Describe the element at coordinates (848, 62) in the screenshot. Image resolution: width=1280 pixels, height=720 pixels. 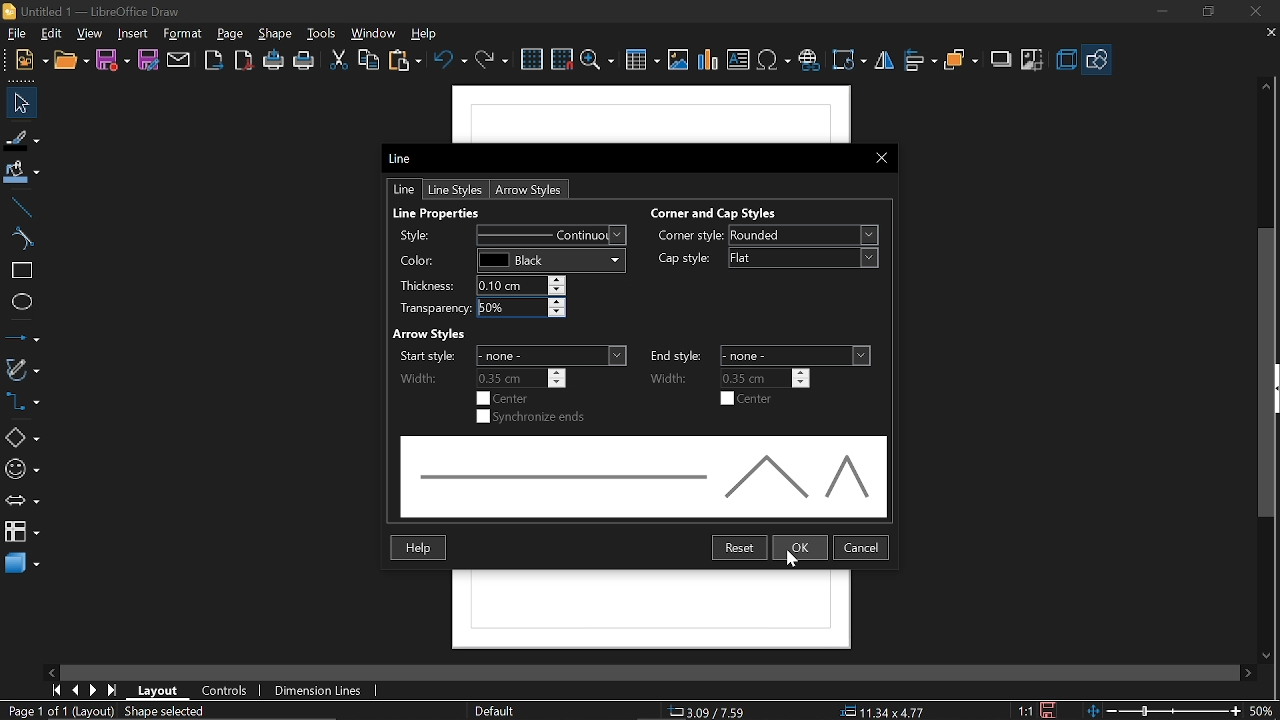
I see `Transformation` at that location.